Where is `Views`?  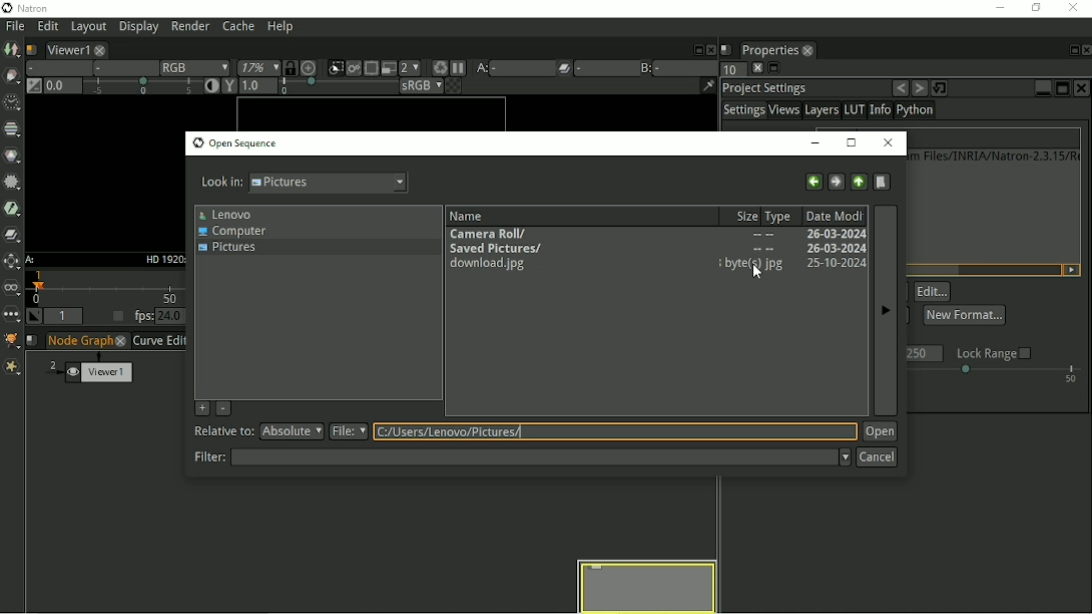
Views is located at coordinates (785, 112).